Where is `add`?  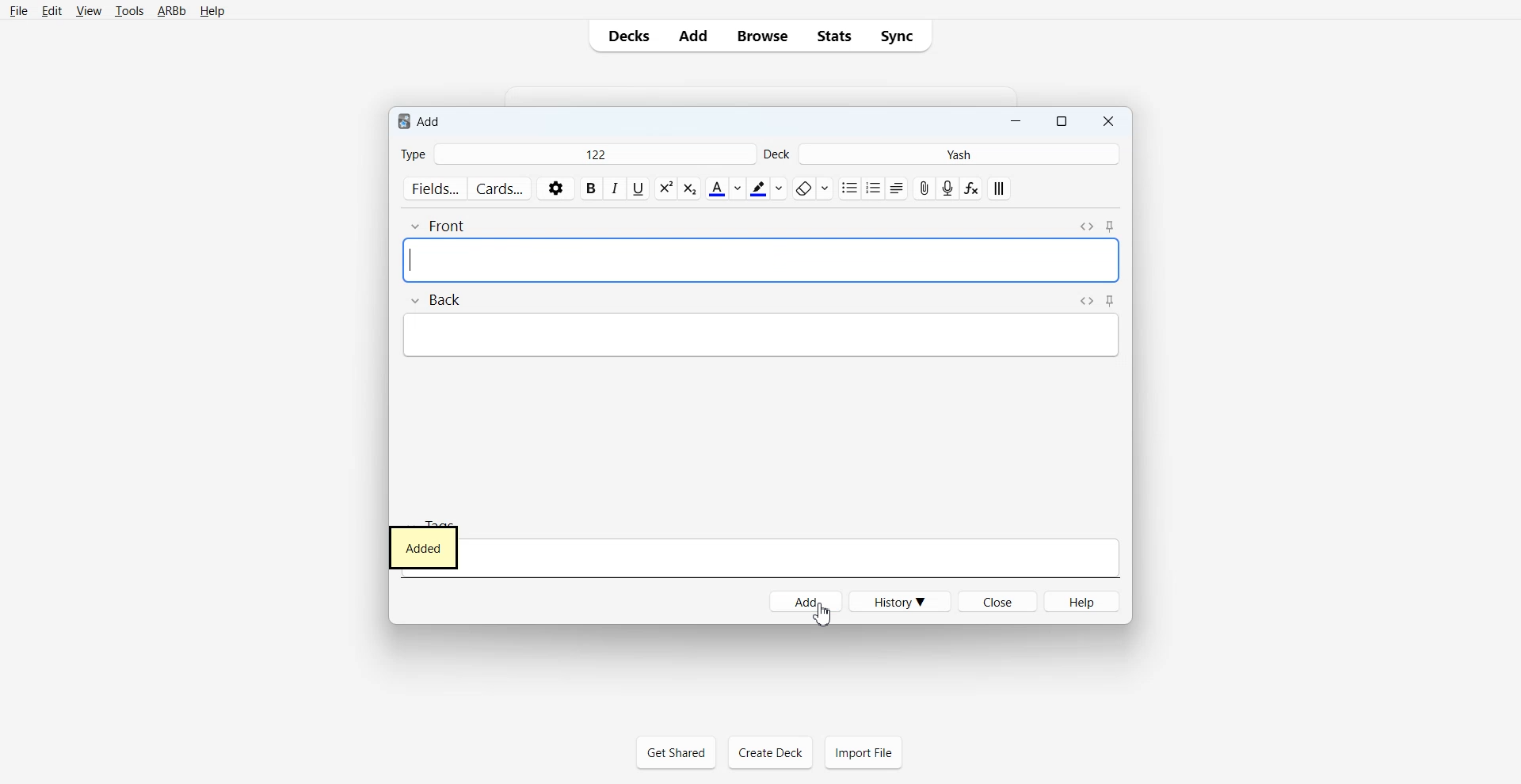 add is located at coordinates (806, 603).